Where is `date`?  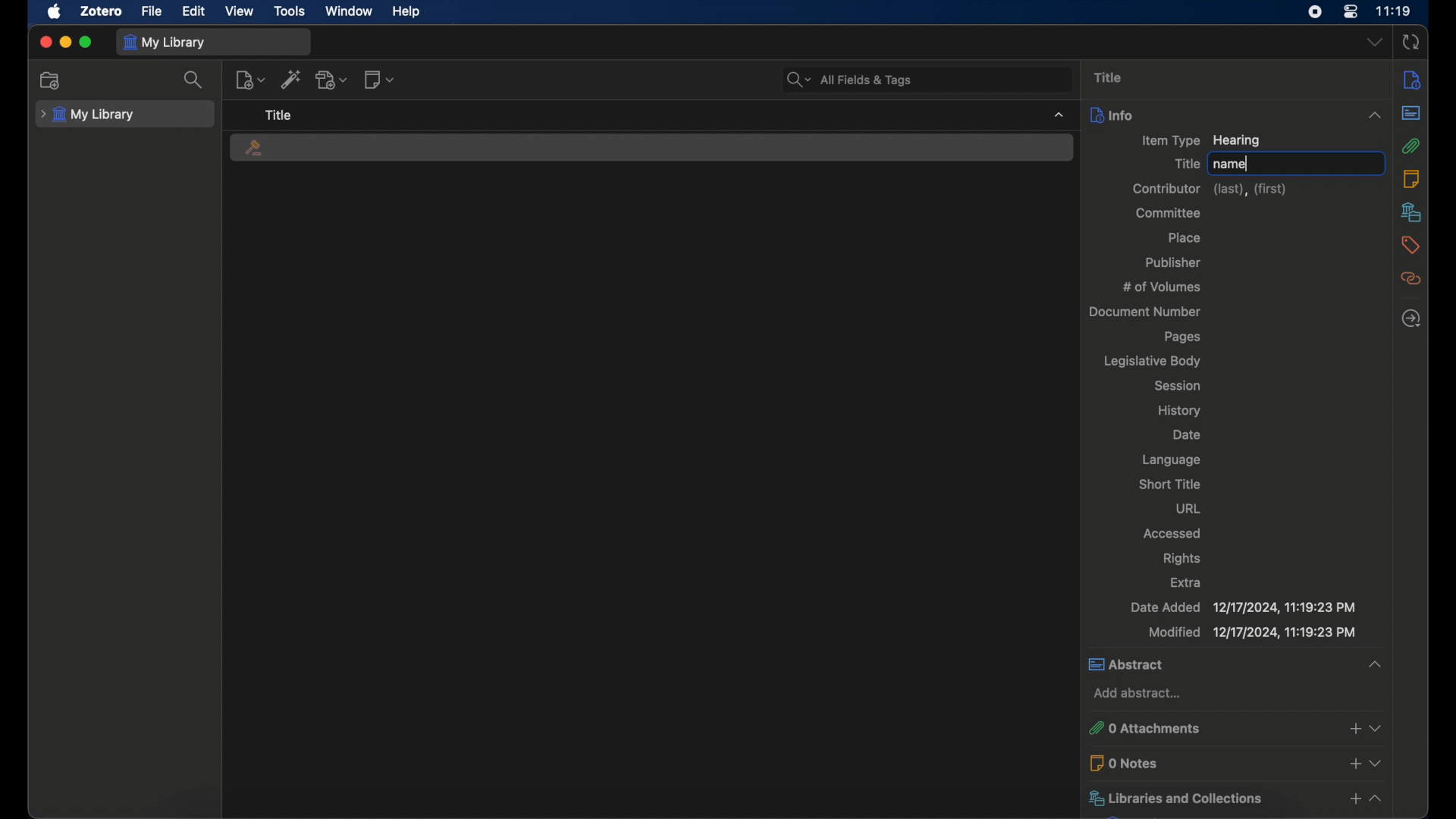
date is located at coordinates (1188, 436).